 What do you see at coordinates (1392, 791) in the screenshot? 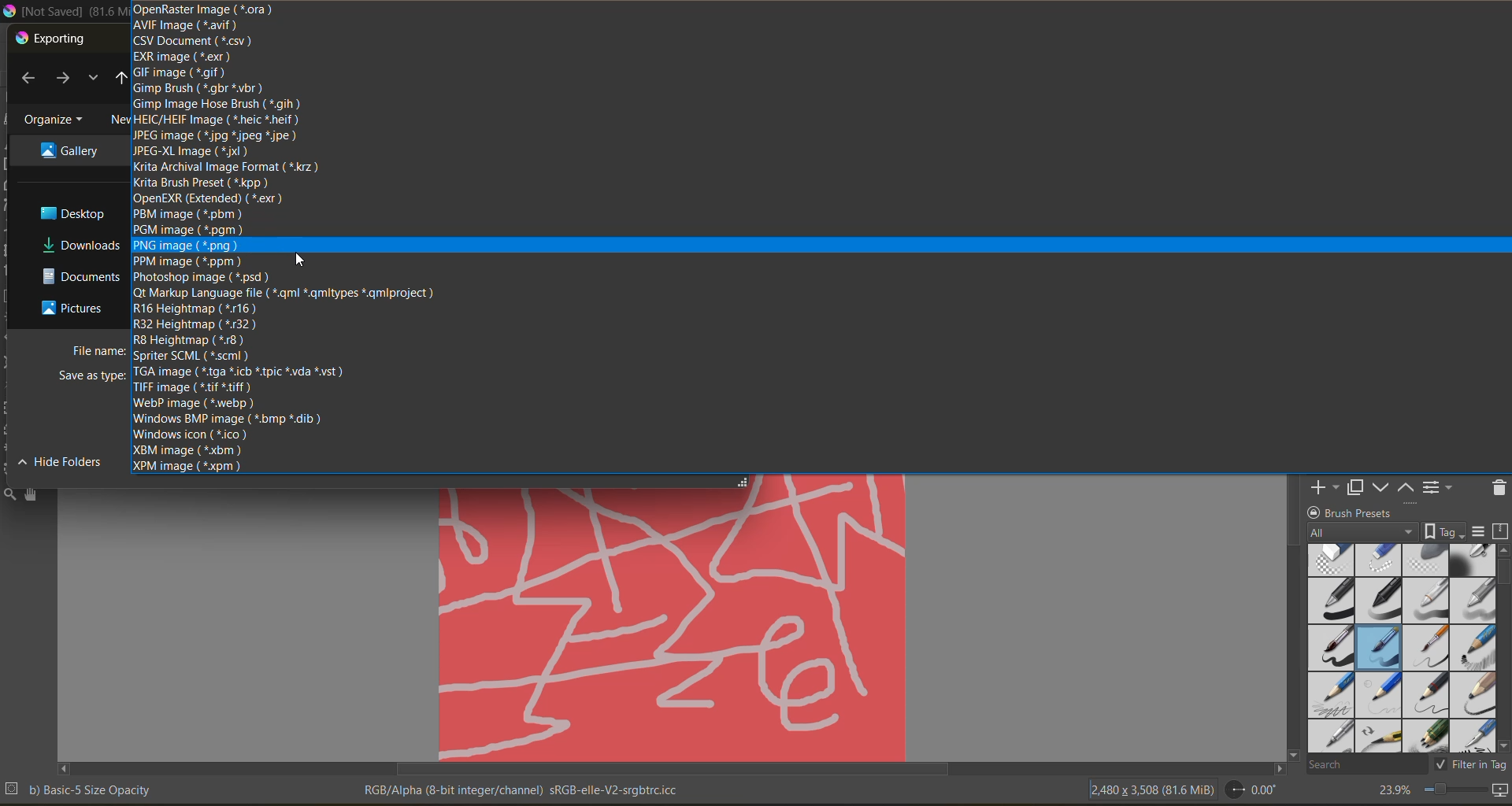
I see `zoom factor` at bounding box center [1392, 791].